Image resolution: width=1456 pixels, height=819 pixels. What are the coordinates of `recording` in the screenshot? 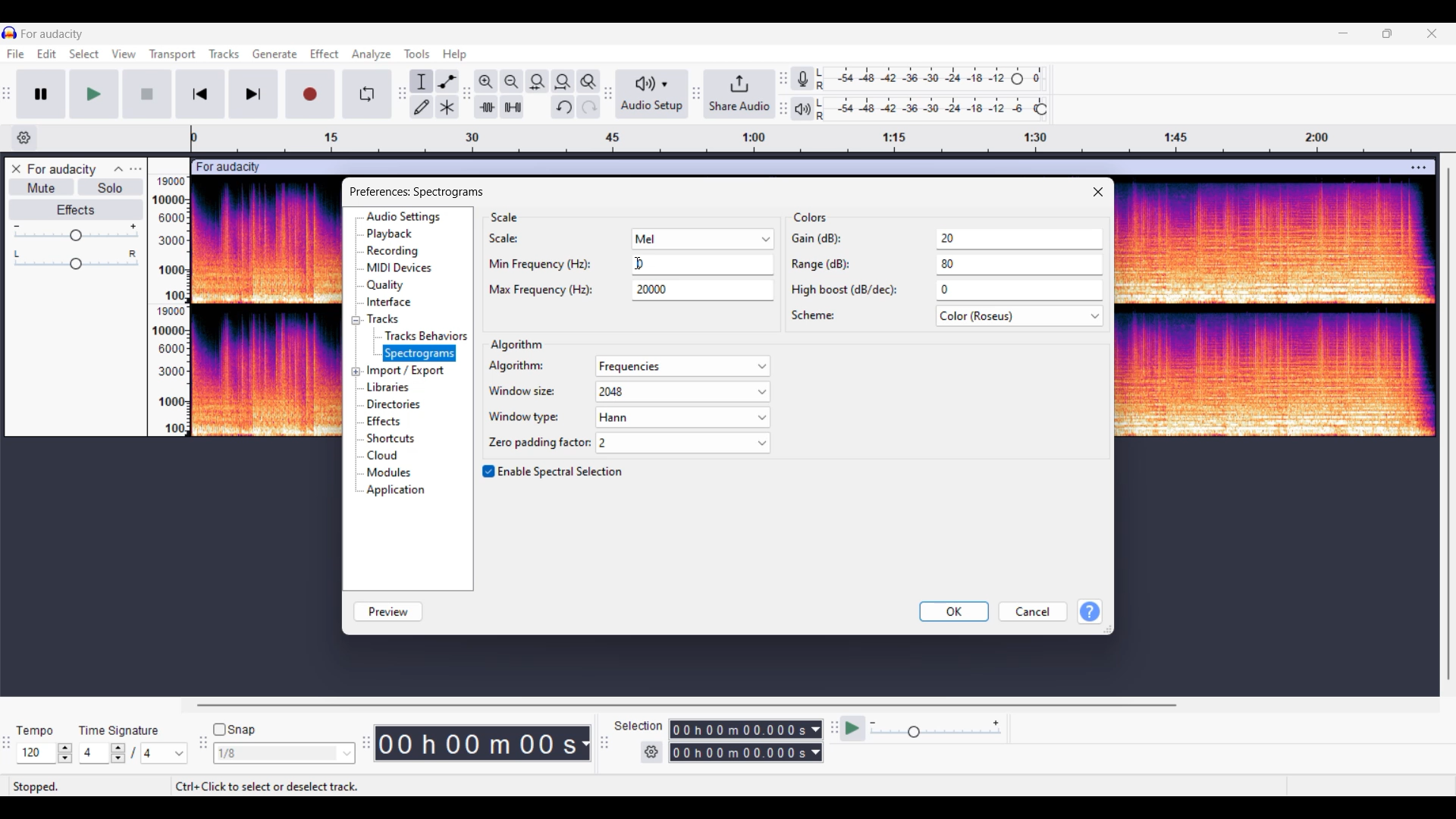 It's located at (397, 251).